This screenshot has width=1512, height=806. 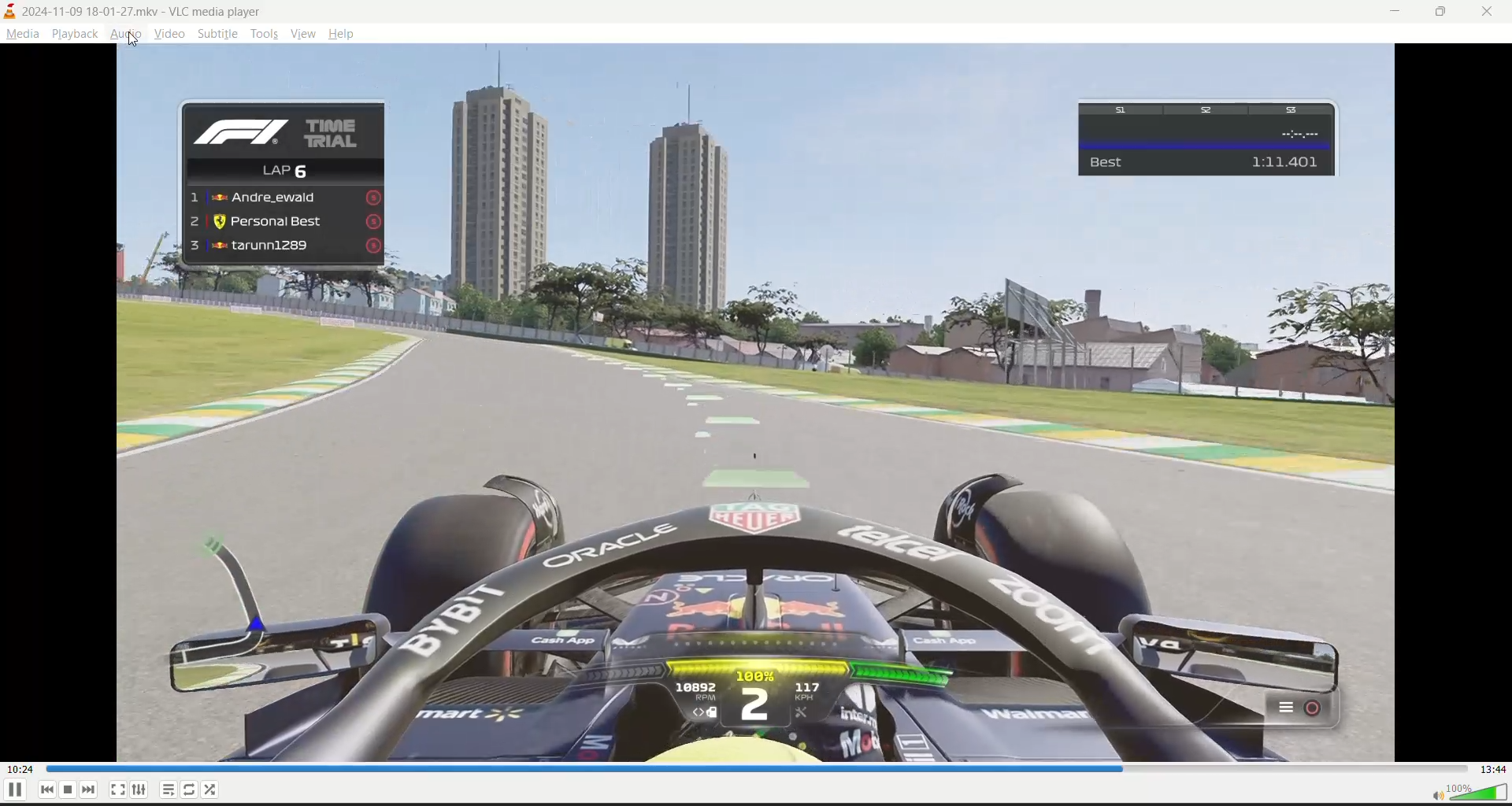 I want to click on previous, so click(x=43, y=790).